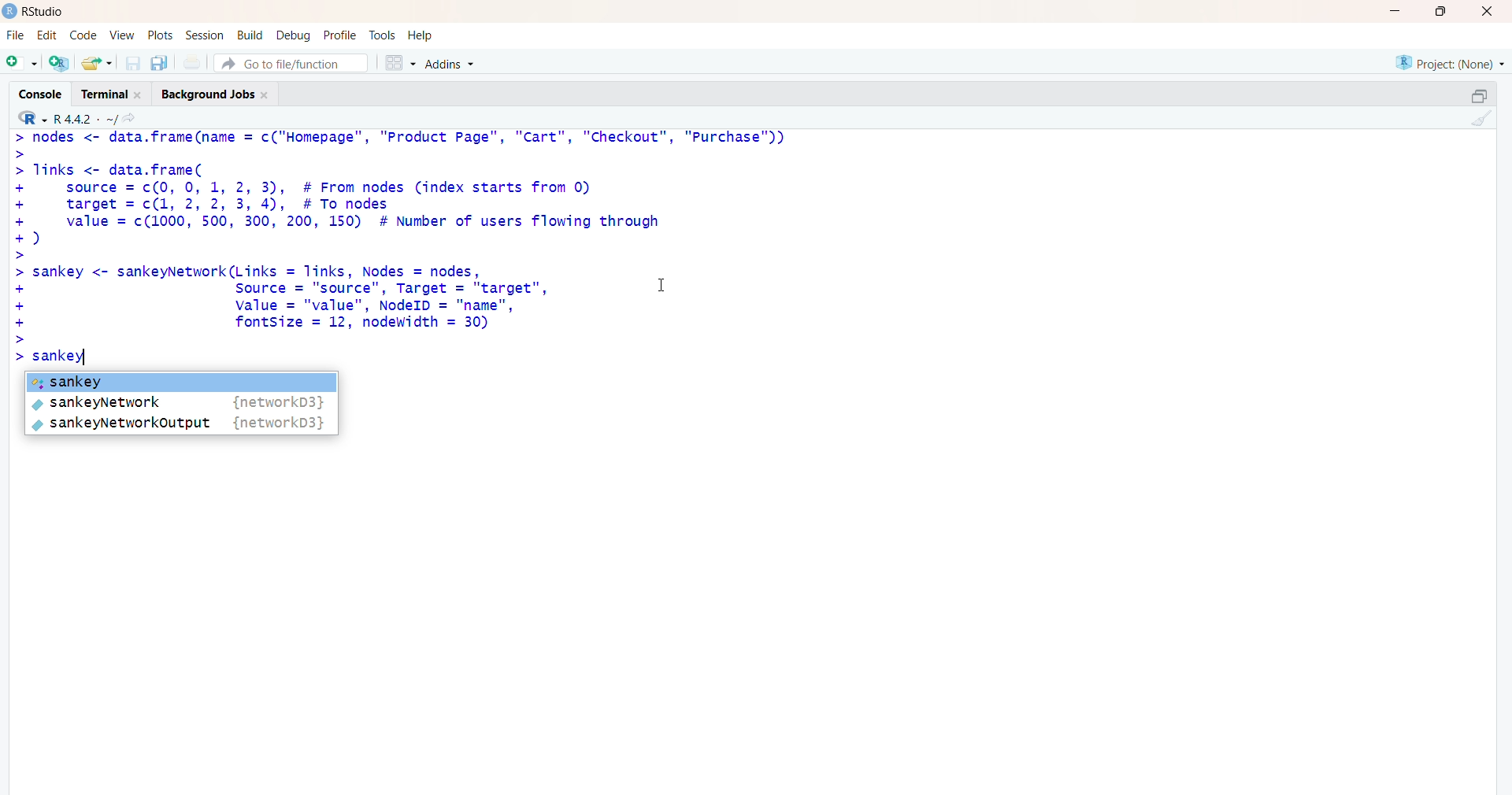 Image resolution: width=1512 pixels, height=795 pixels. I want to click on # sankeyNetwork {networkD3}, so click(183, 402).